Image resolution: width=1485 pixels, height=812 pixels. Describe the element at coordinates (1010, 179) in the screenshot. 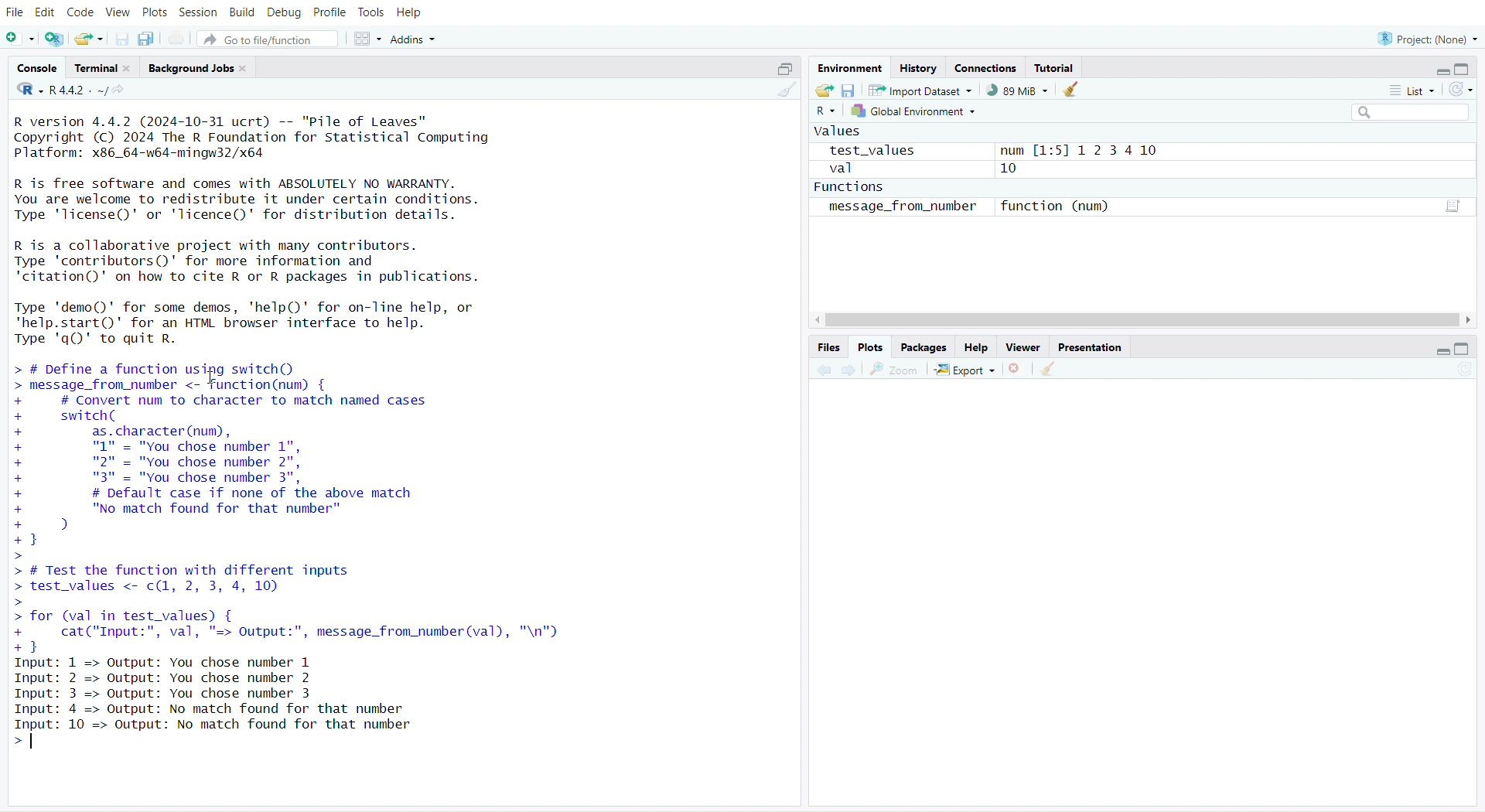

I see `values
test_values num [1:5] 12 3 4 10
val 10

Functions
message_from_number function (num)` at that location.